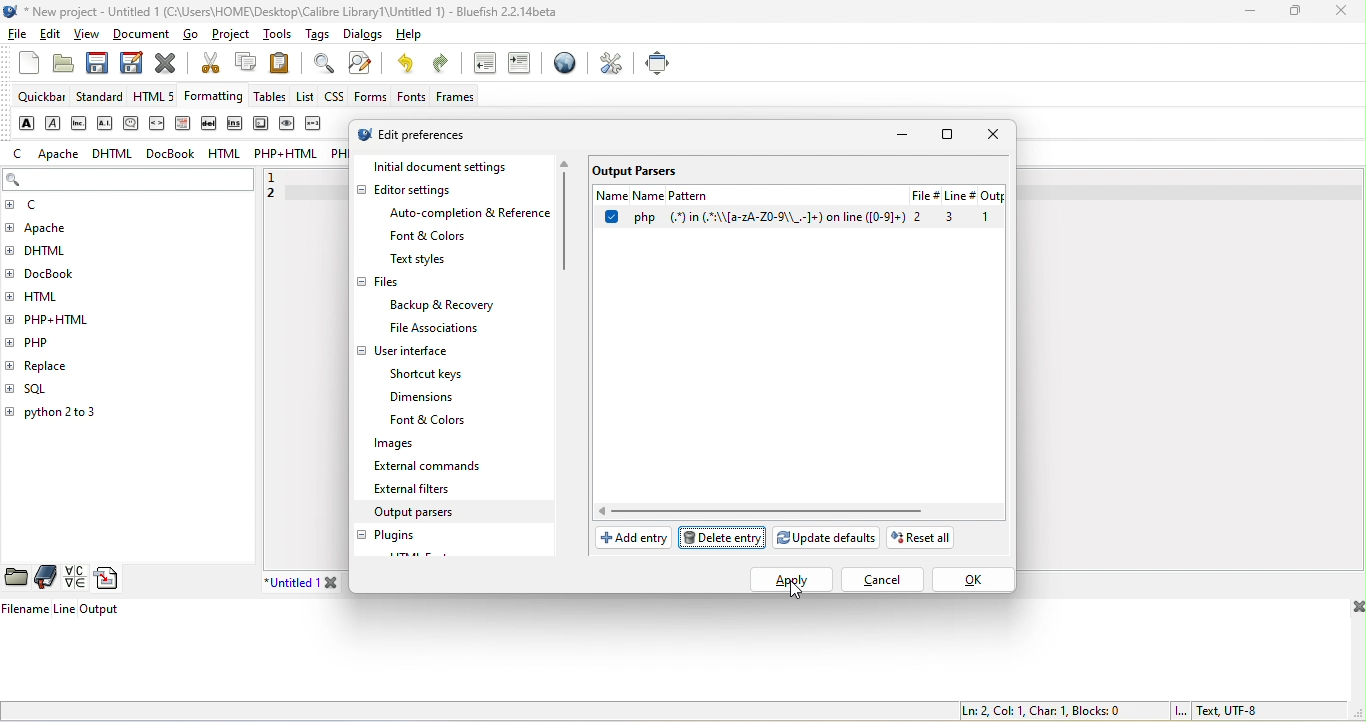  Describe the element at coordinates (1341, 12) in the screenshot. I see `close` at that location.